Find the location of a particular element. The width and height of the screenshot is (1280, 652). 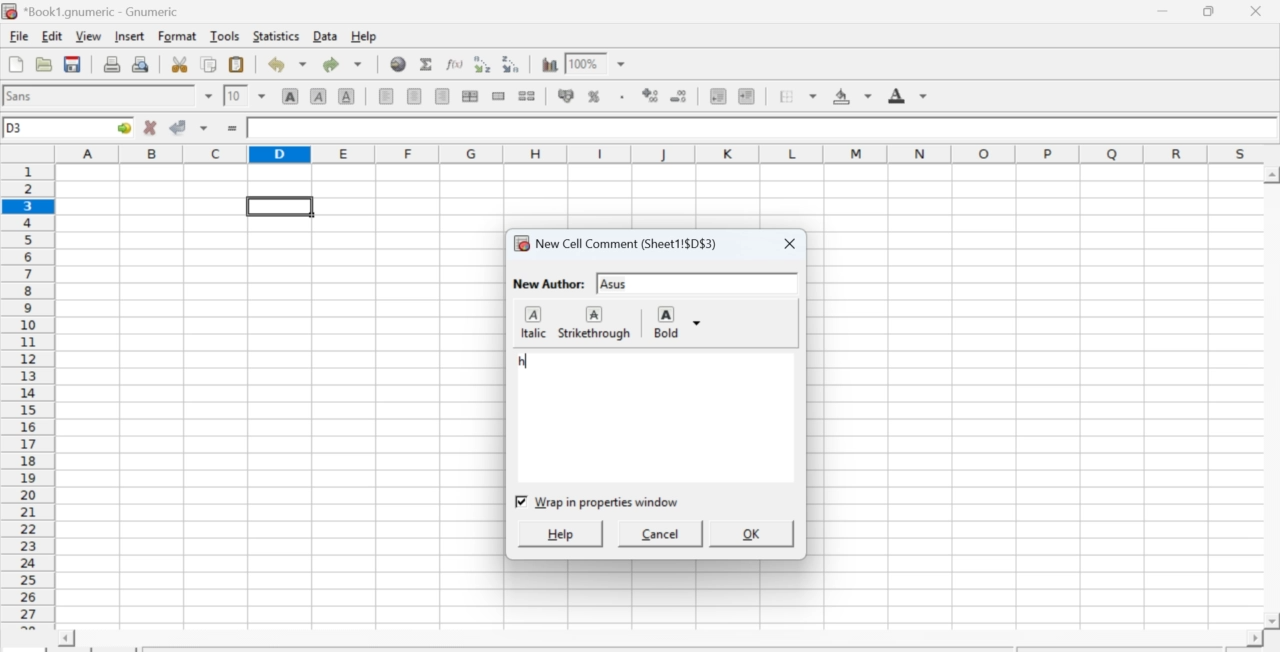

Cancel change is located at coordinates (148, 127).